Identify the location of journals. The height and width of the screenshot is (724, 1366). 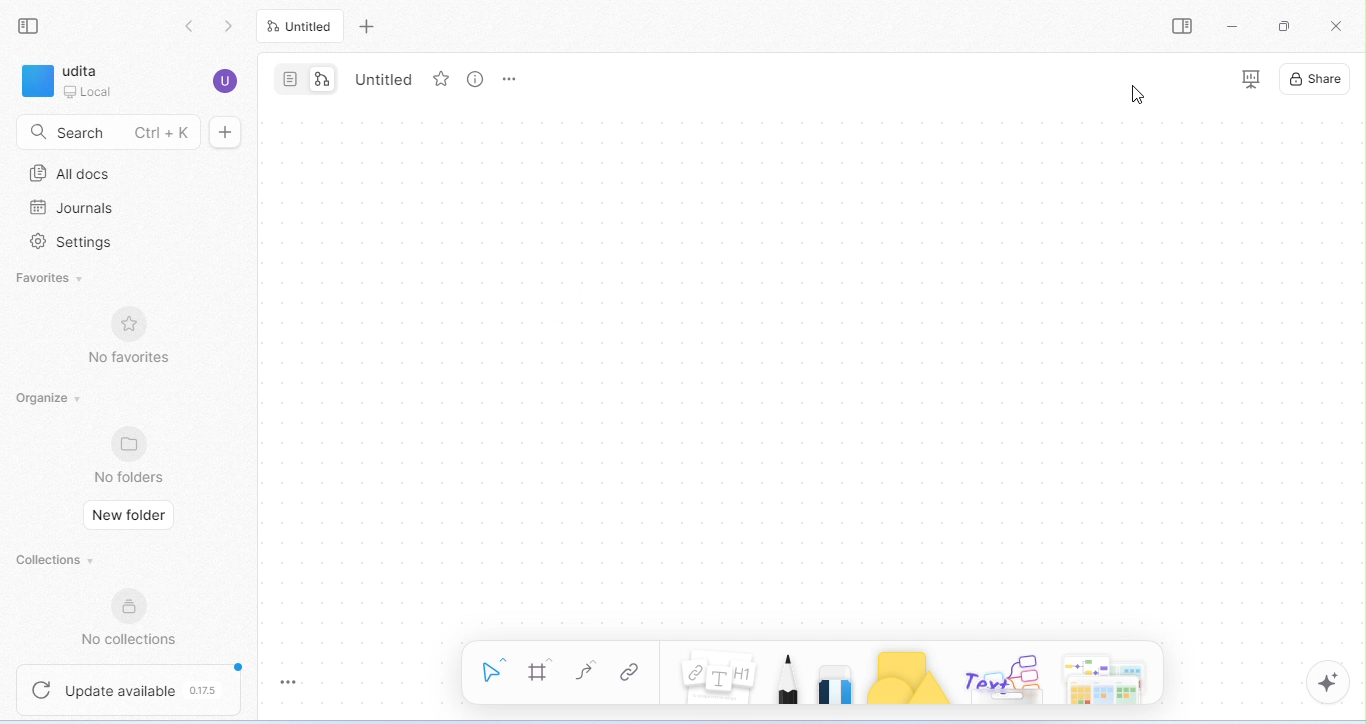
(74, 208).